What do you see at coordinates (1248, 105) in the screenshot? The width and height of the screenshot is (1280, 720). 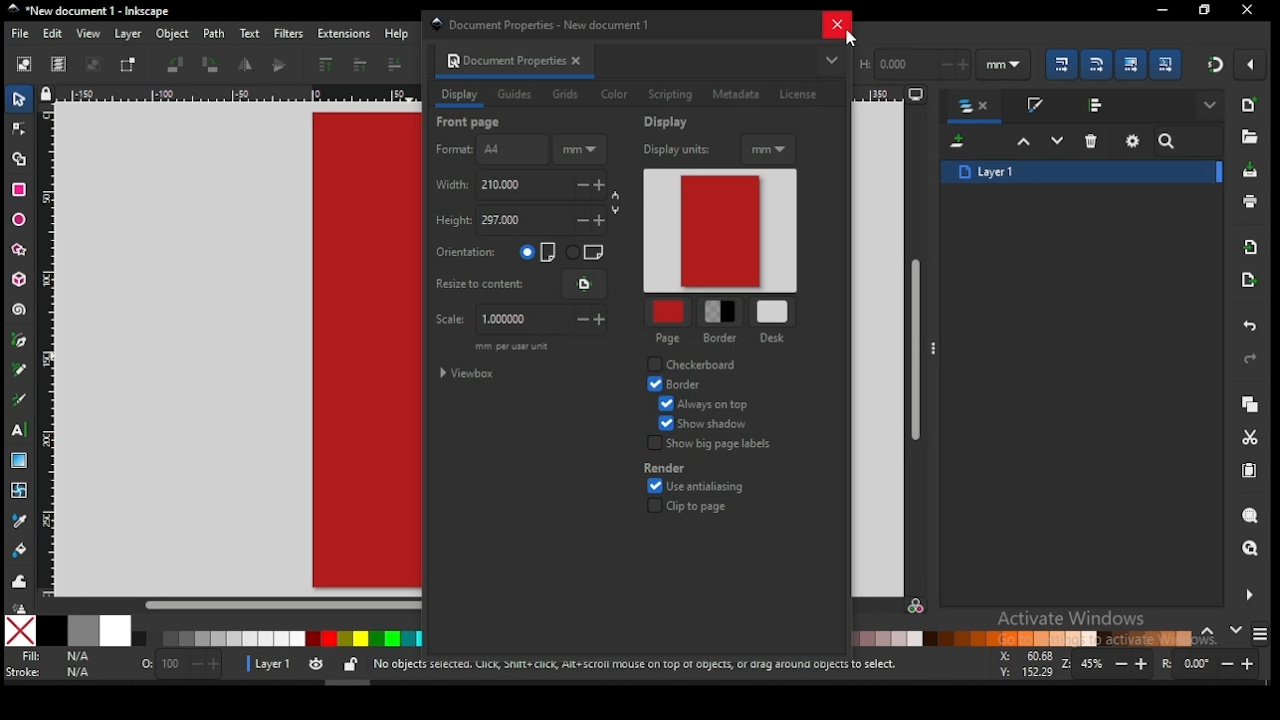 I see `new` at bounding box center [1248, 105].